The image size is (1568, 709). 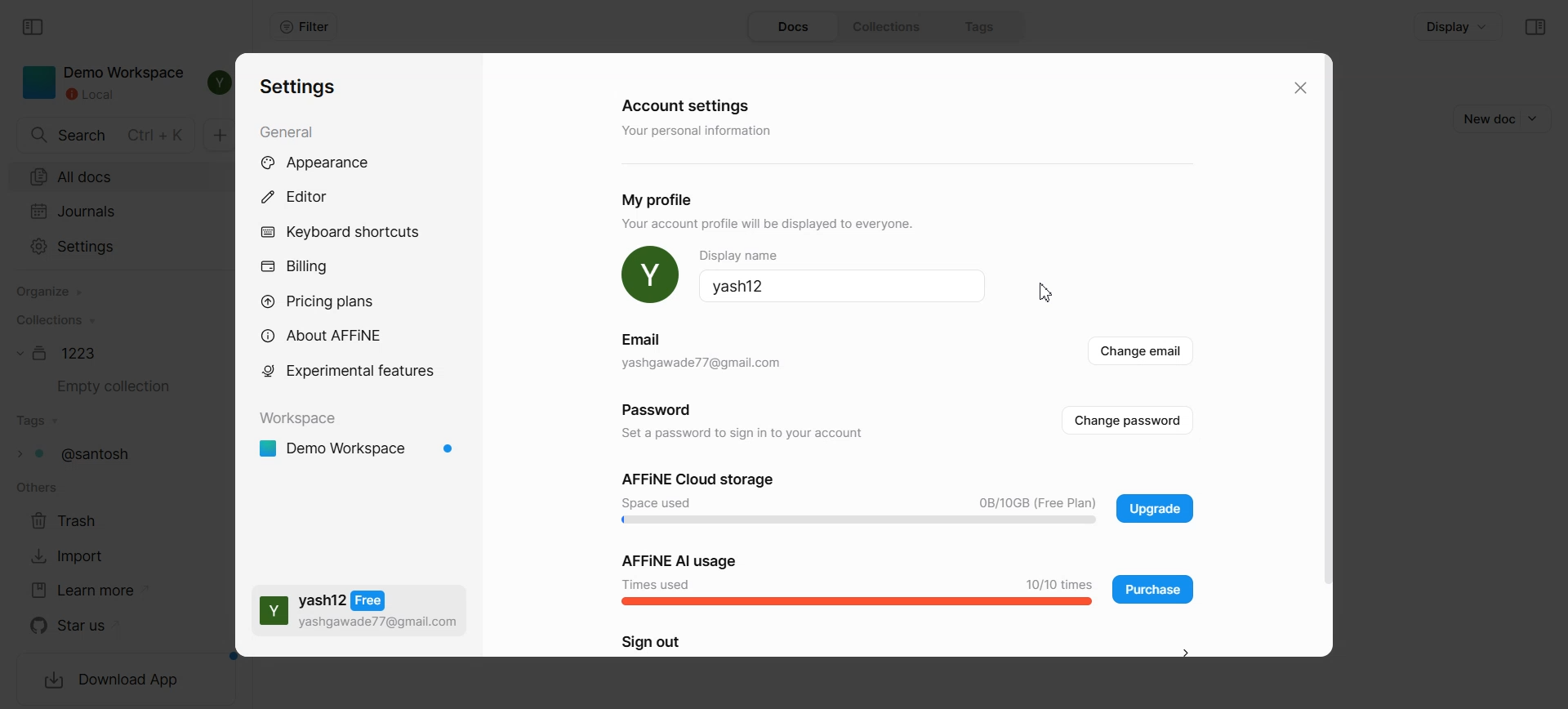 I want to click on Display name, so click(x=841, y=253).